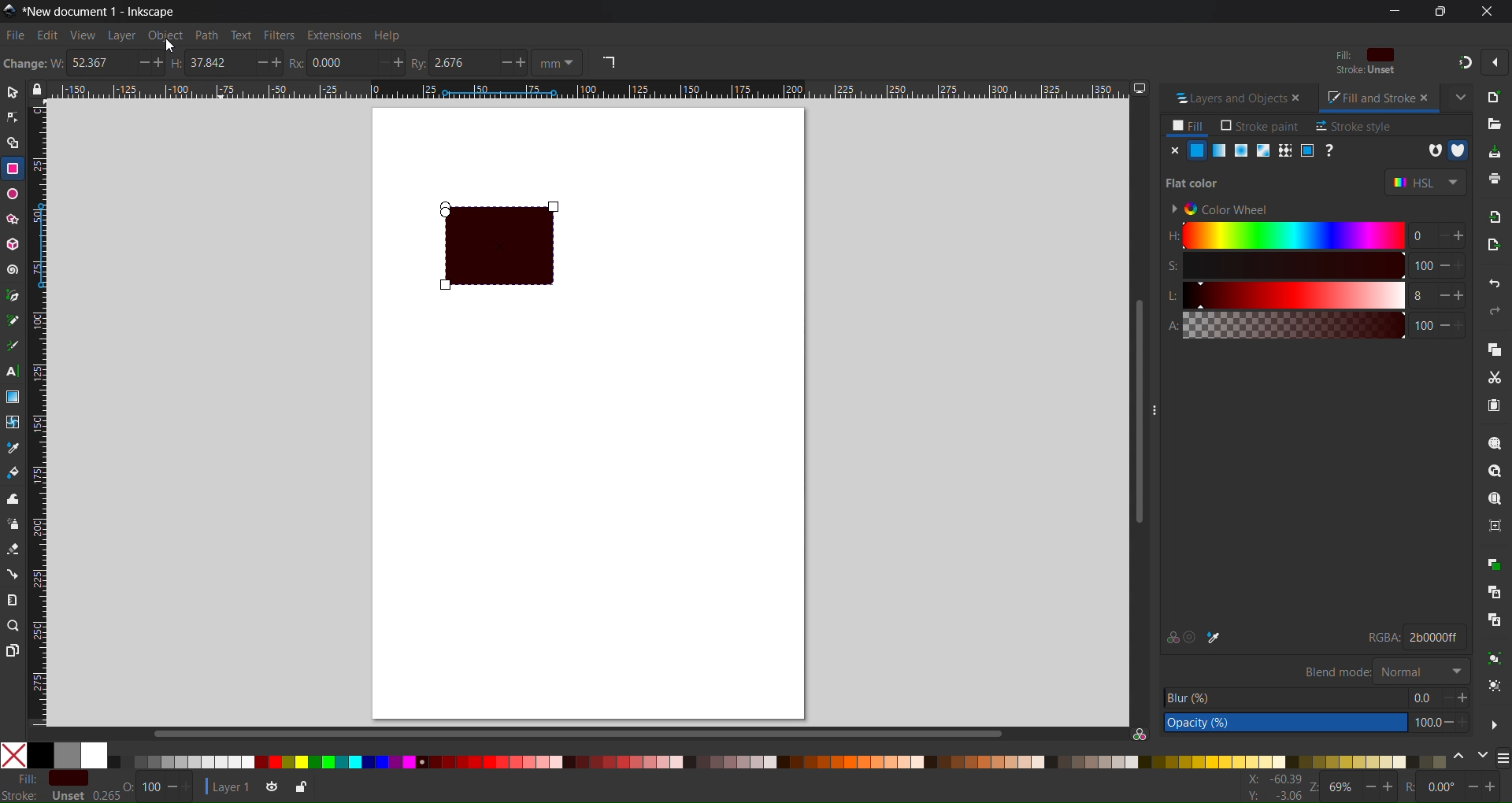 This screenshot has height=803, width=1512. I want to click on decrease blur, so click(1442, 697).